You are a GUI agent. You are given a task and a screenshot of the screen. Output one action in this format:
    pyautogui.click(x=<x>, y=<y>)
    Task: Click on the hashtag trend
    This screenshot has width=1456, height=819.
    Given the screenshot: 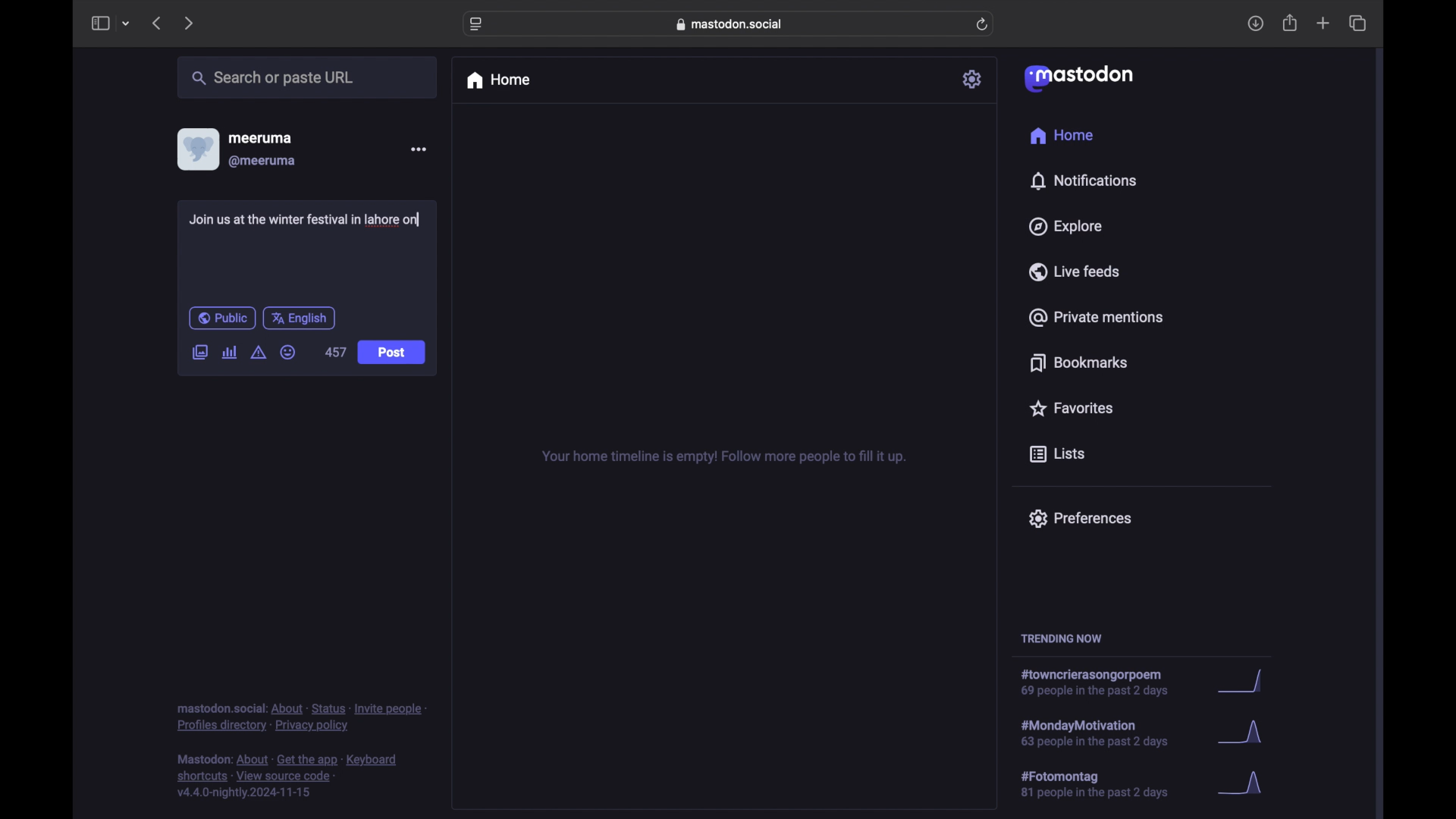 What is the action you would take?
    pyautogui.click(x=1105, y=732)
    